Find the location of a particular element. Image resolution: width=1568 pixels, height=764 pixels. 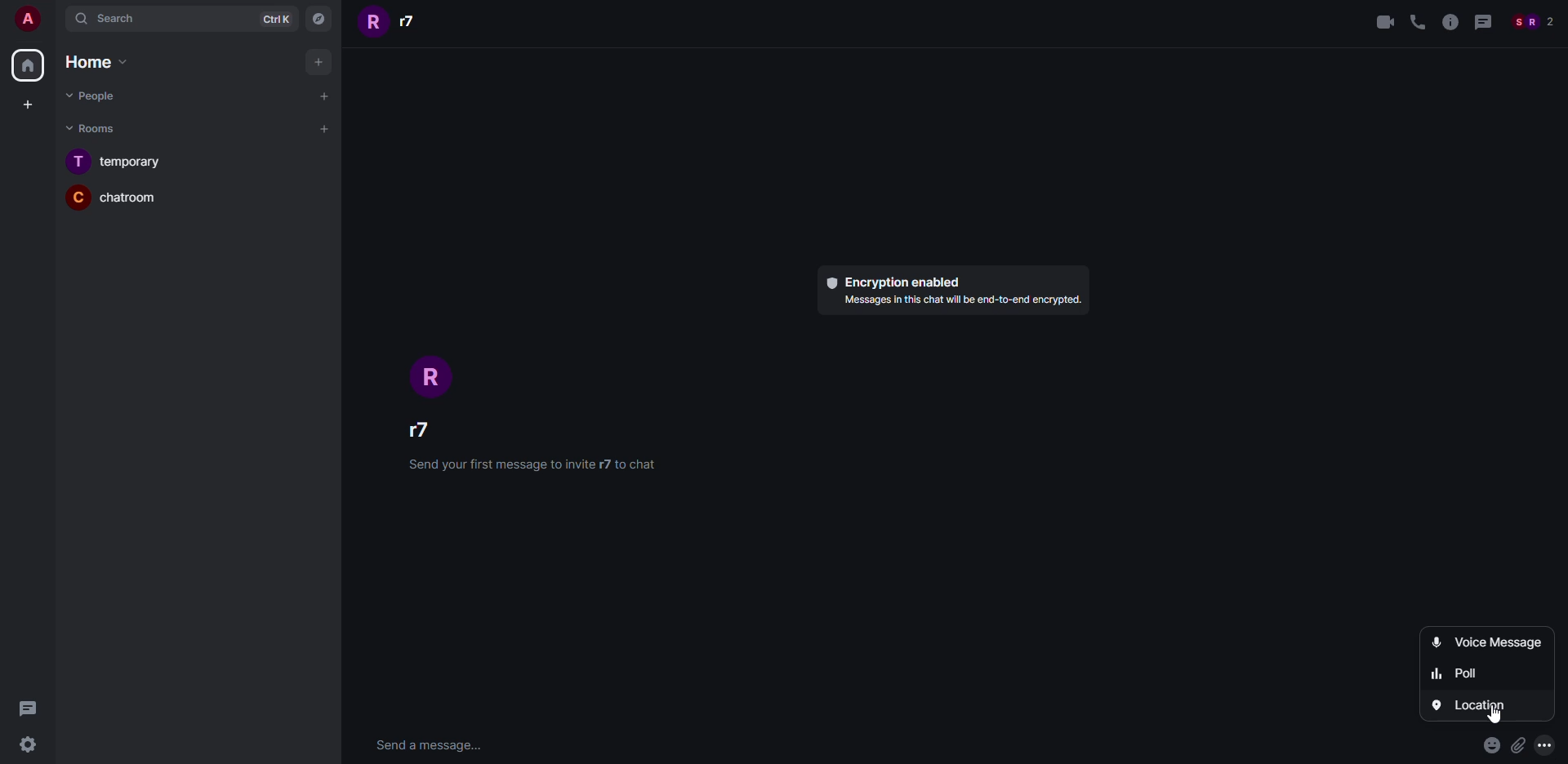

Home is located at coordinates (26, 65).